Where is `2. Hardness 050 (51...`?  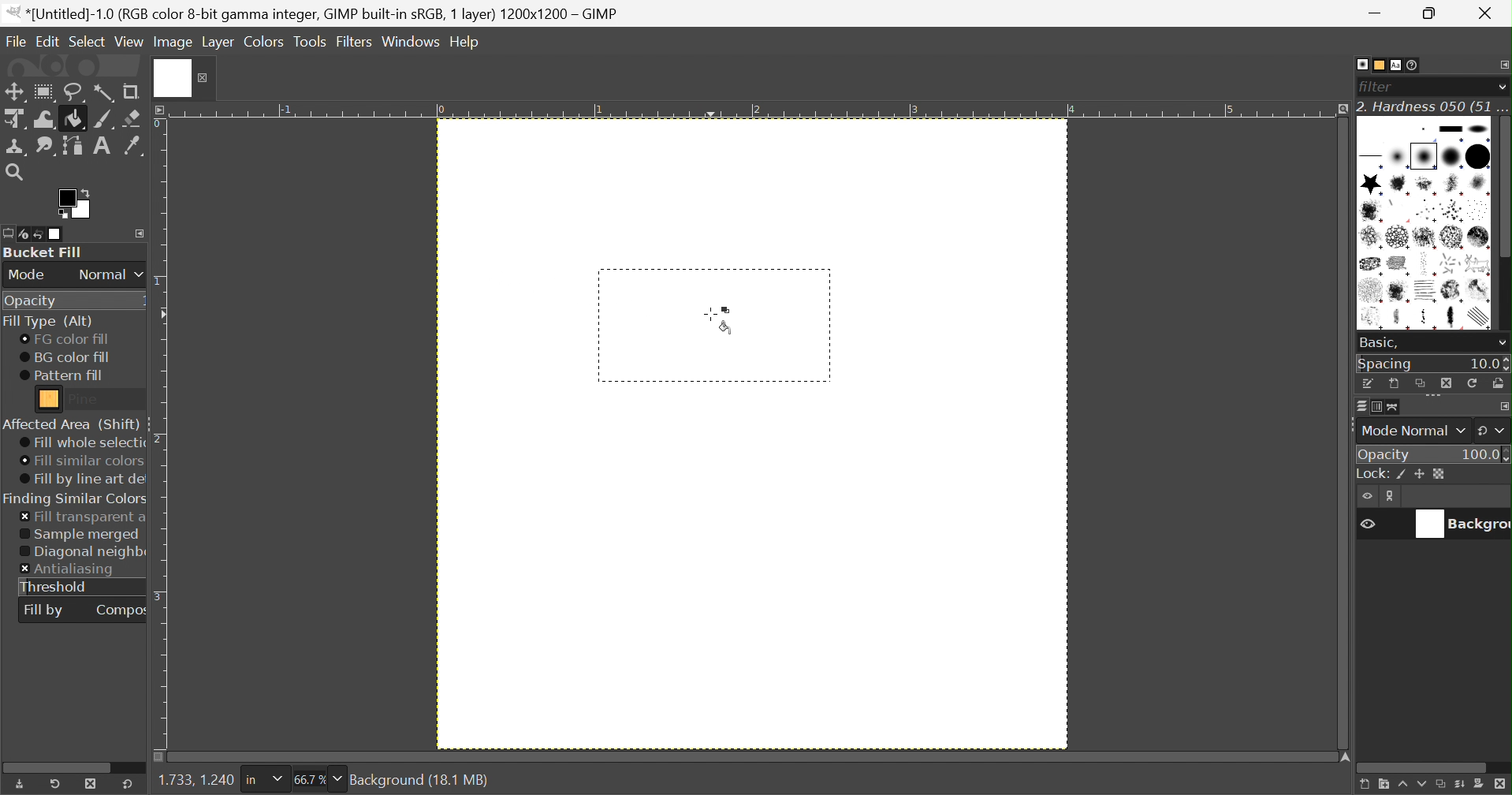 2. Hardness 050 (51... is located at coordinates (1432, 106).